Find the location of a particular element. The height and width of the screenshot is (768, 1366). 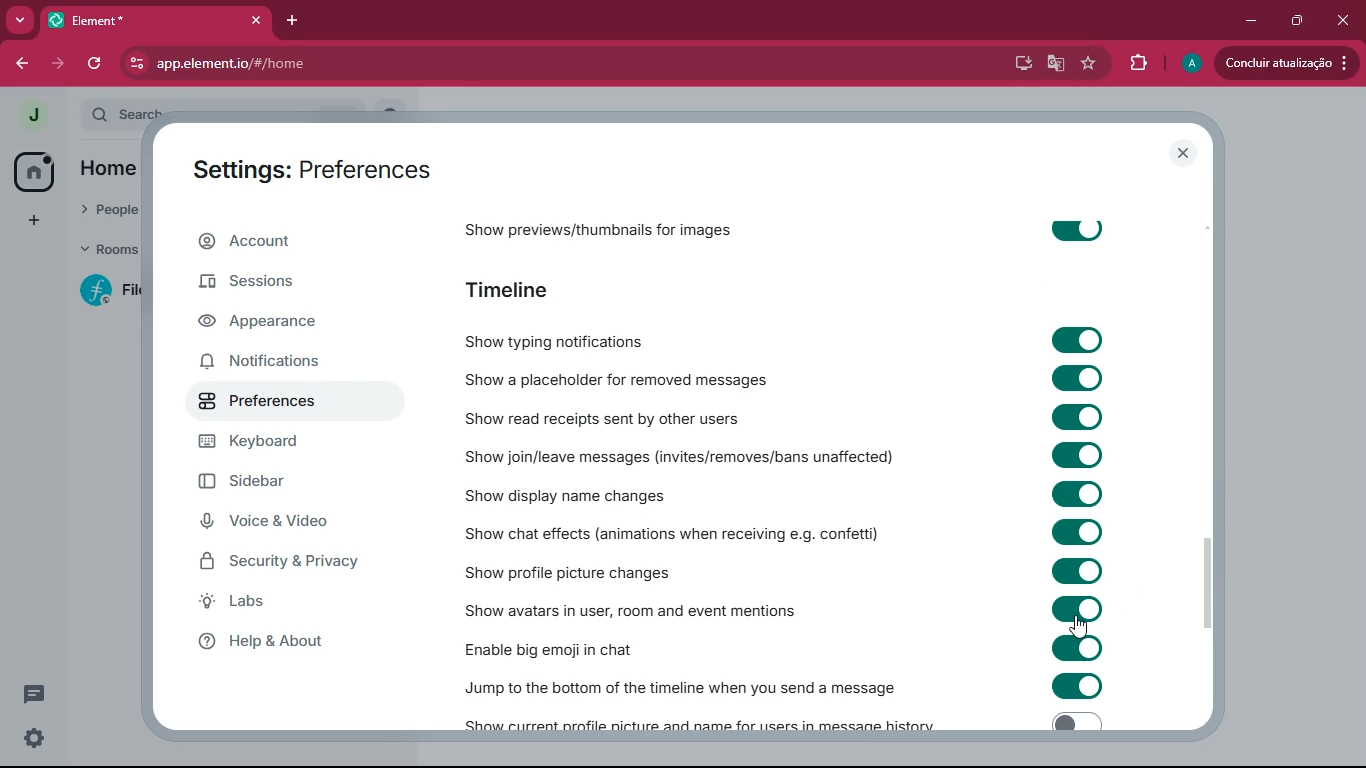

minimize is located at coordinates (1252, 19).